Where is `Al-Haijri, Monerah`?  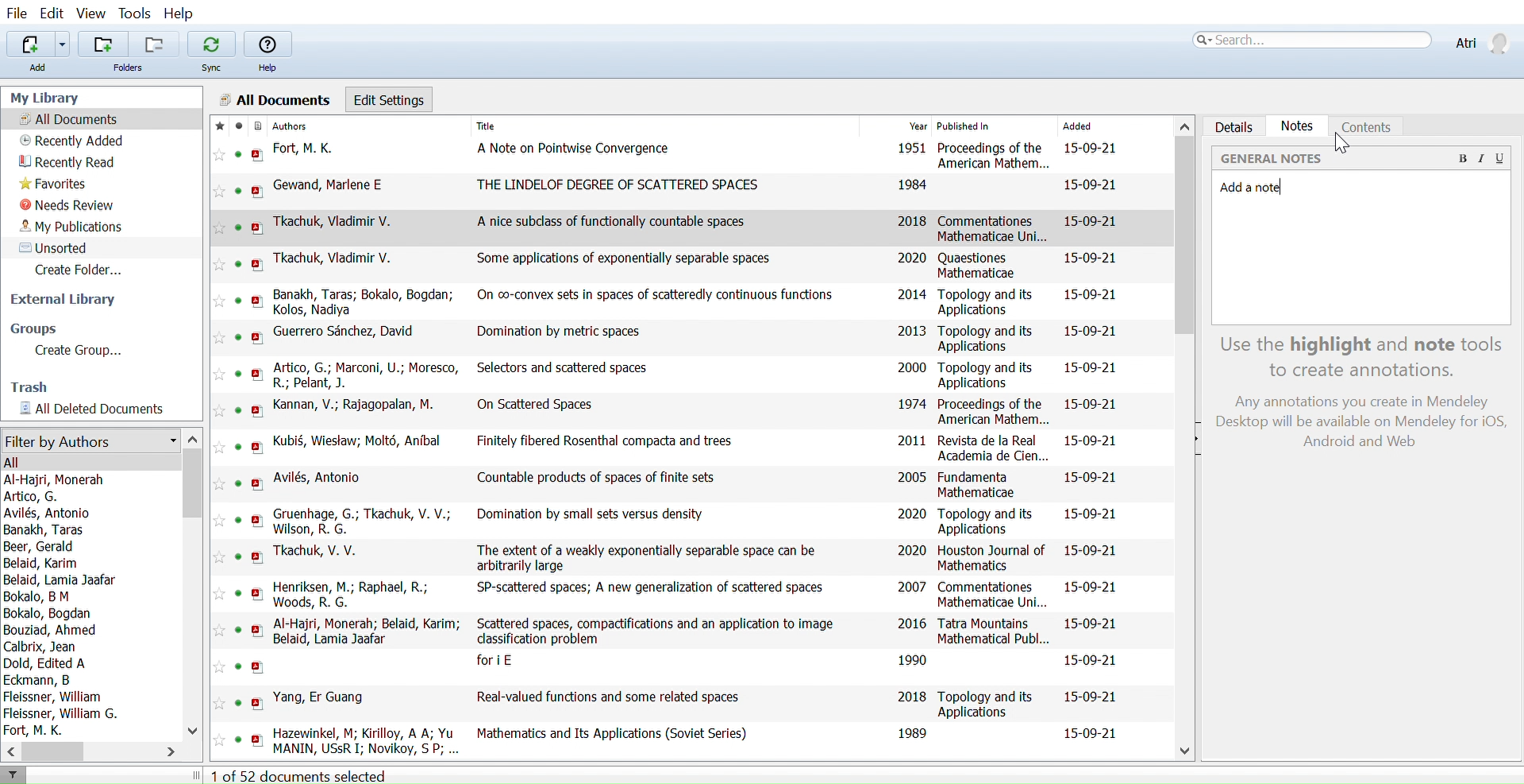 Al-Haijri, Monerah is located at coordinates (61, 479).